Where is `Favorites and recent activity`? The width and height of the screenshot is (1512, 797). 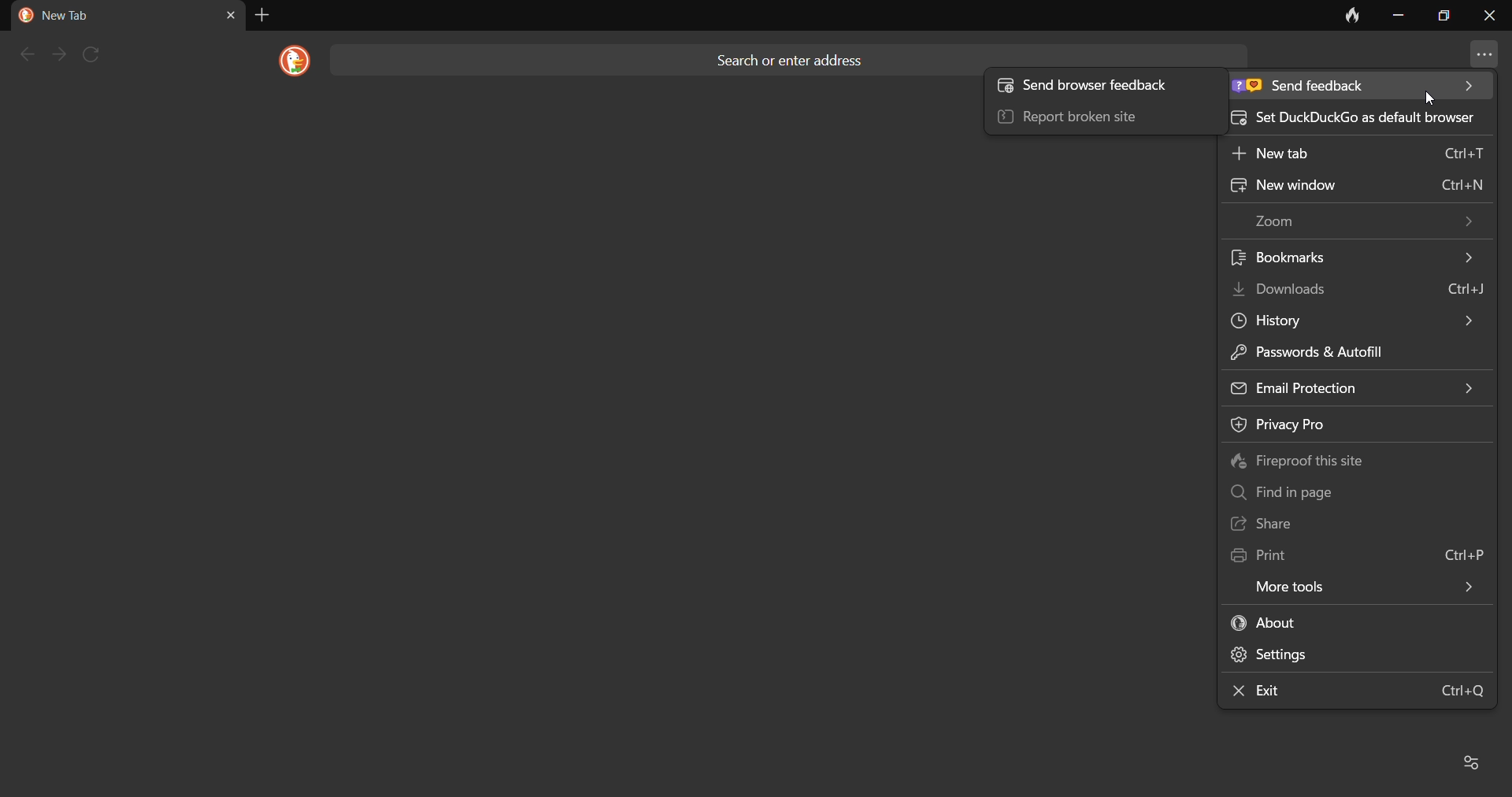 Favorites and recent activity is located at coordinates (1474, 761).